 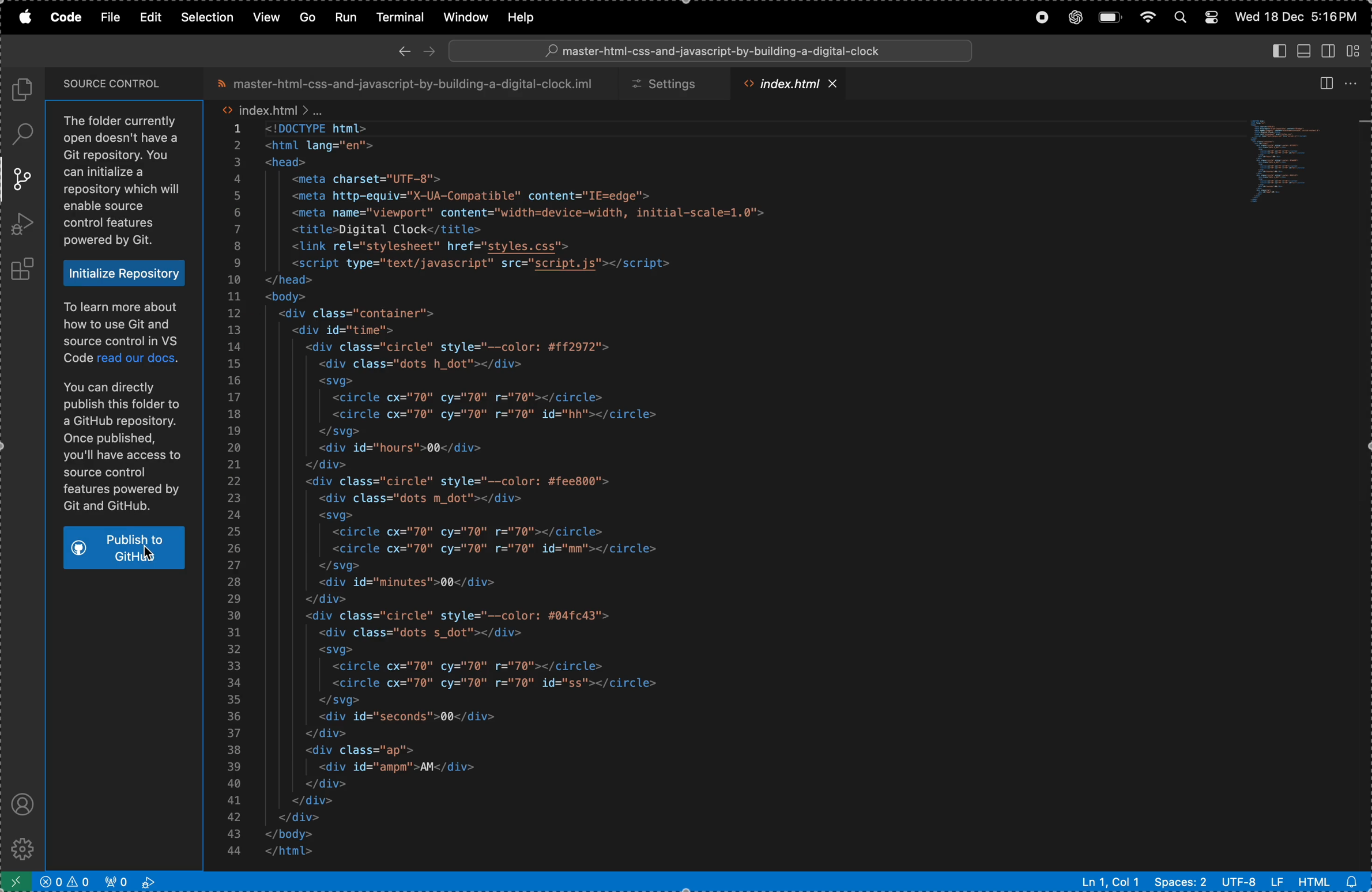 What do you see at coordinates (27, 266) in the screenshot?
I see `extensions` at bounding box center [27, 266].